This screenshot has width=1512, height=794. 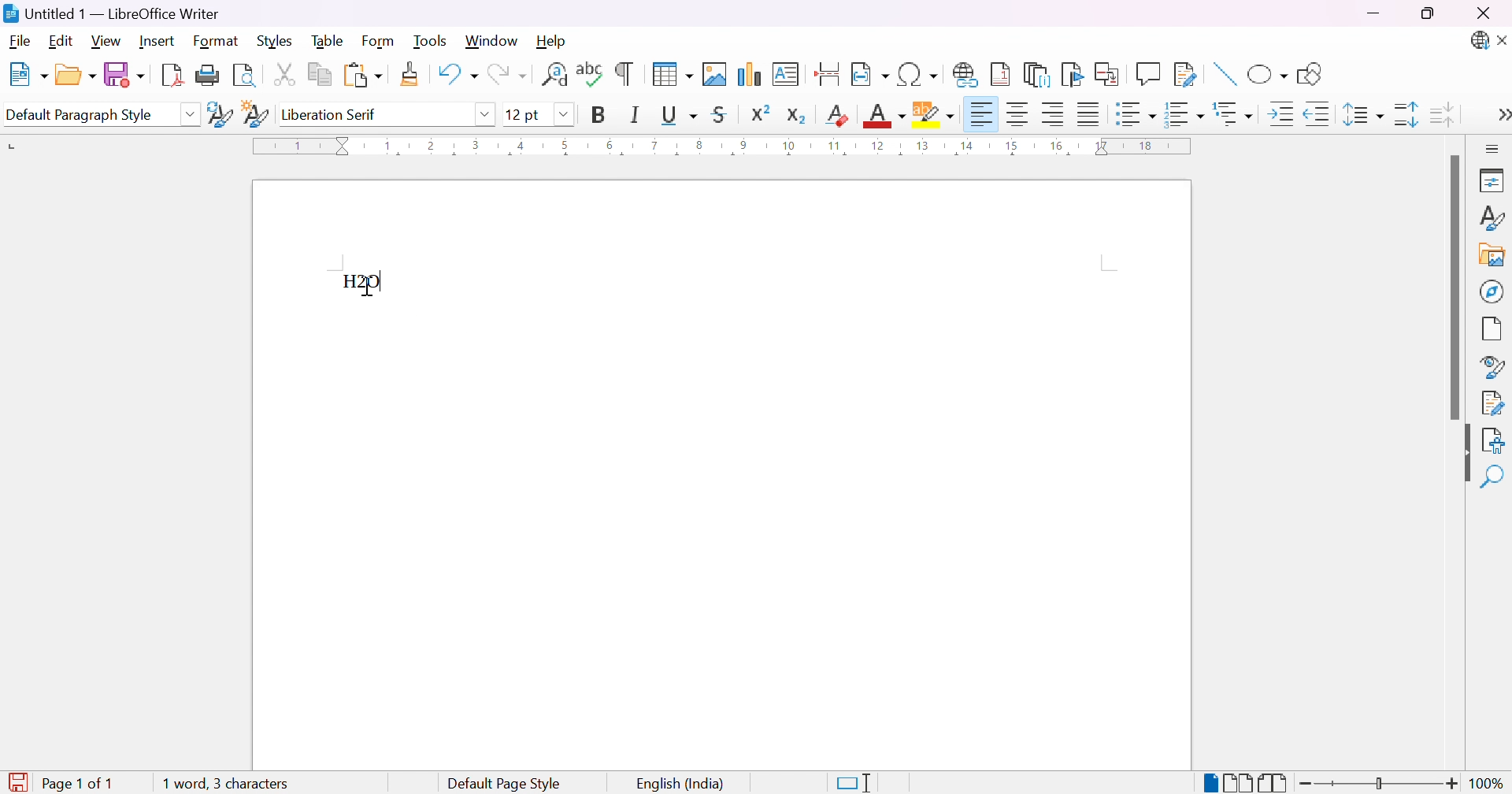 What do you see at coordinates (279, 40) in the screenshot?
I see `Styles` at bounding box center [279, 40].